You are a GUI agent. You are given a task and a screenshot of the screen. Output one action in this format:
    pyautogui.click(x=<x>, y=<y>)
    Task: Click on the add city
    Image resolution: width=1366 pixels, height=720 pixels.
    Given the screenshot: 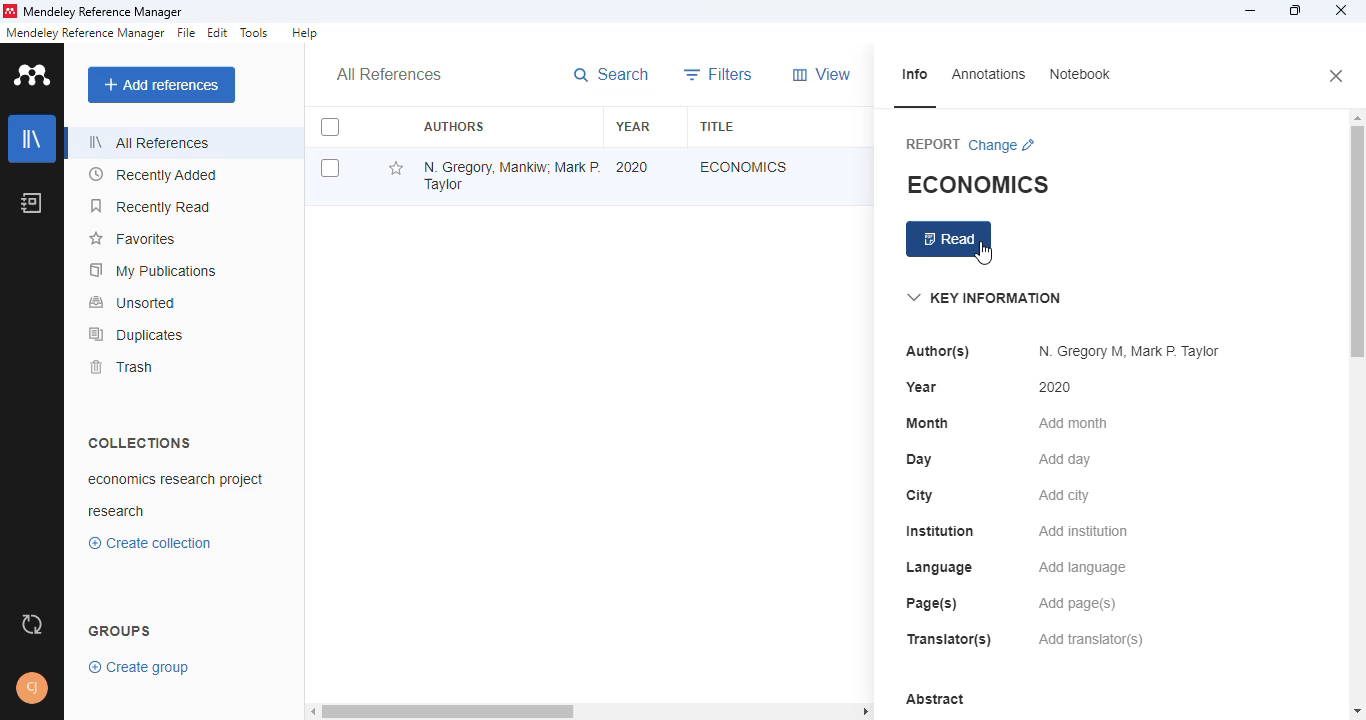 What is the action you would take?
    pyautogui.click(x=1065, y=495)
    